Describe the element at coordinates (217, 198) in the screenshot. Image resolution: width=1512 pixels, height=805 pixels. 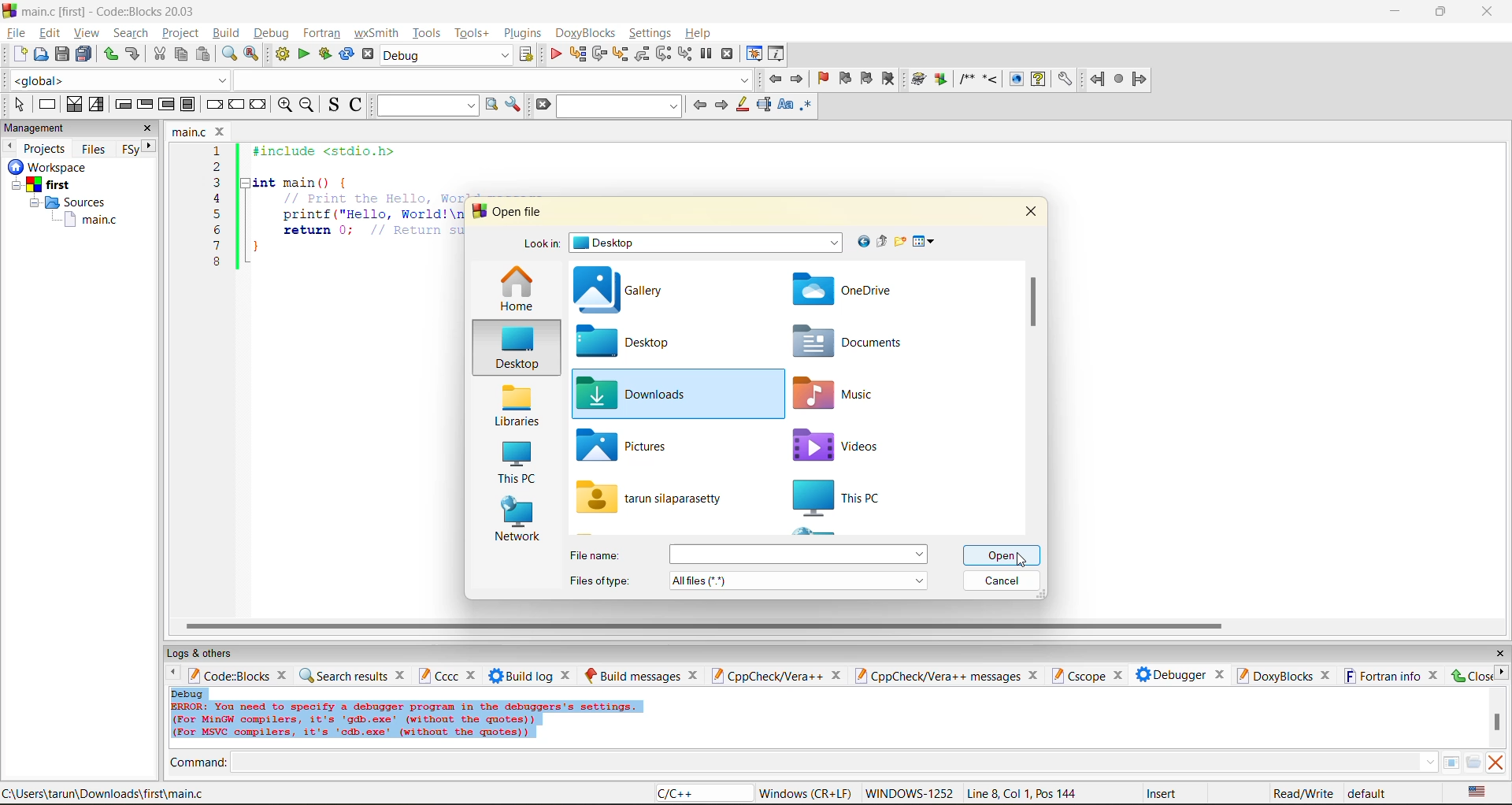
I see `4` at that location.